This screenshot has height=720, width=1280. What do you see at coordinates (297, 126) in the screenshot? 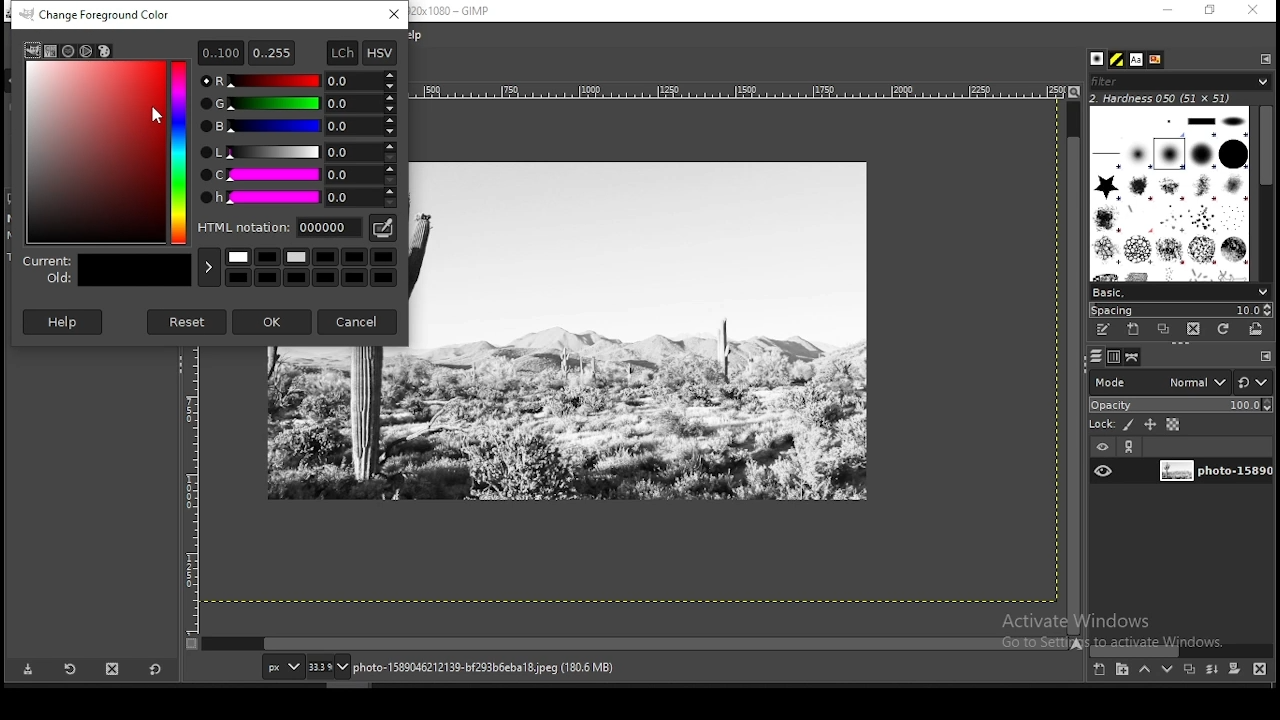
I see `blue` at bounding box center [297, 126].